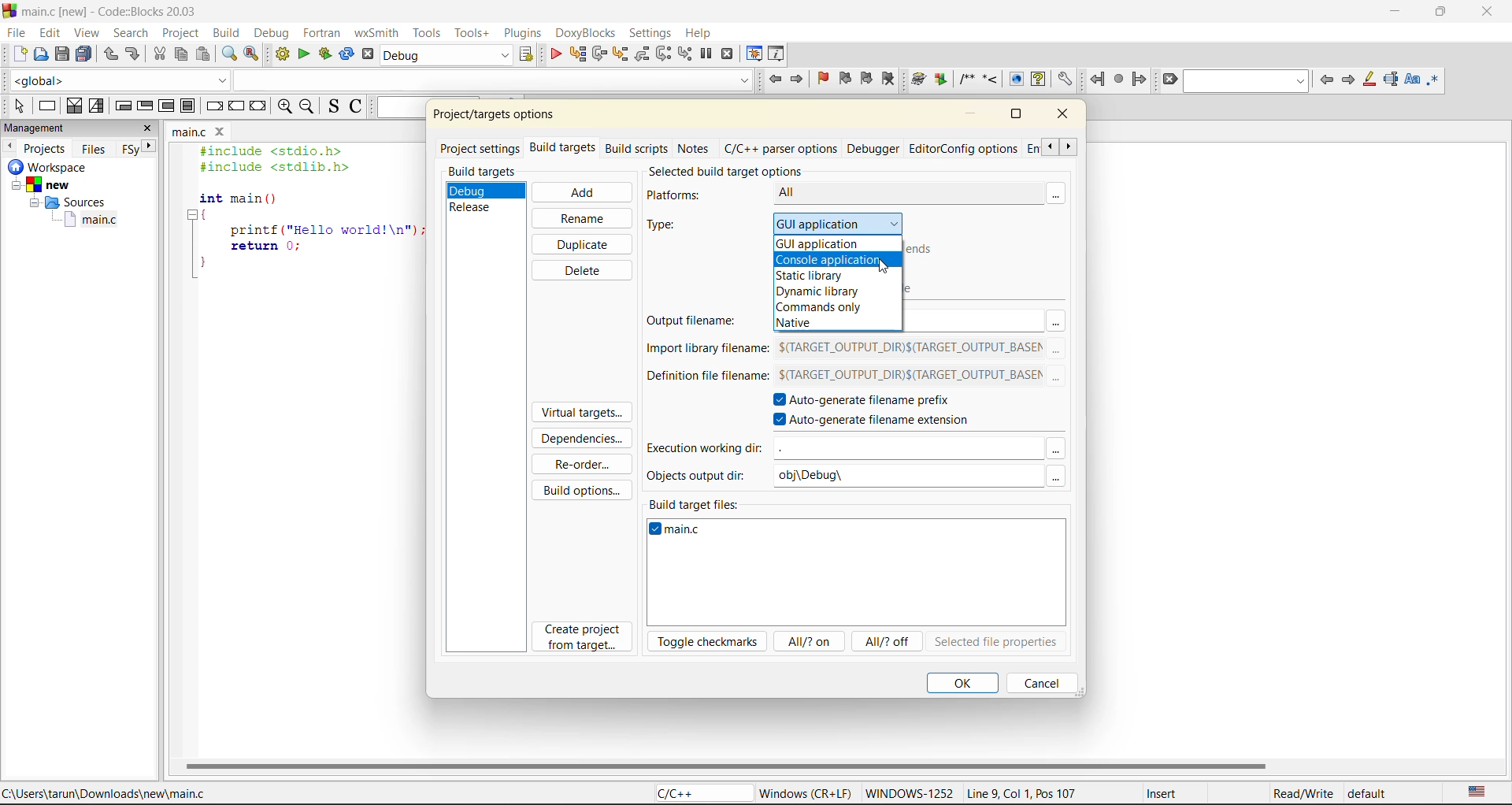 The image size is (1512, 805). What do you see at coordinates (821, 243) in the screenshot?
I see `gui application` at bounding box center [821, 243].